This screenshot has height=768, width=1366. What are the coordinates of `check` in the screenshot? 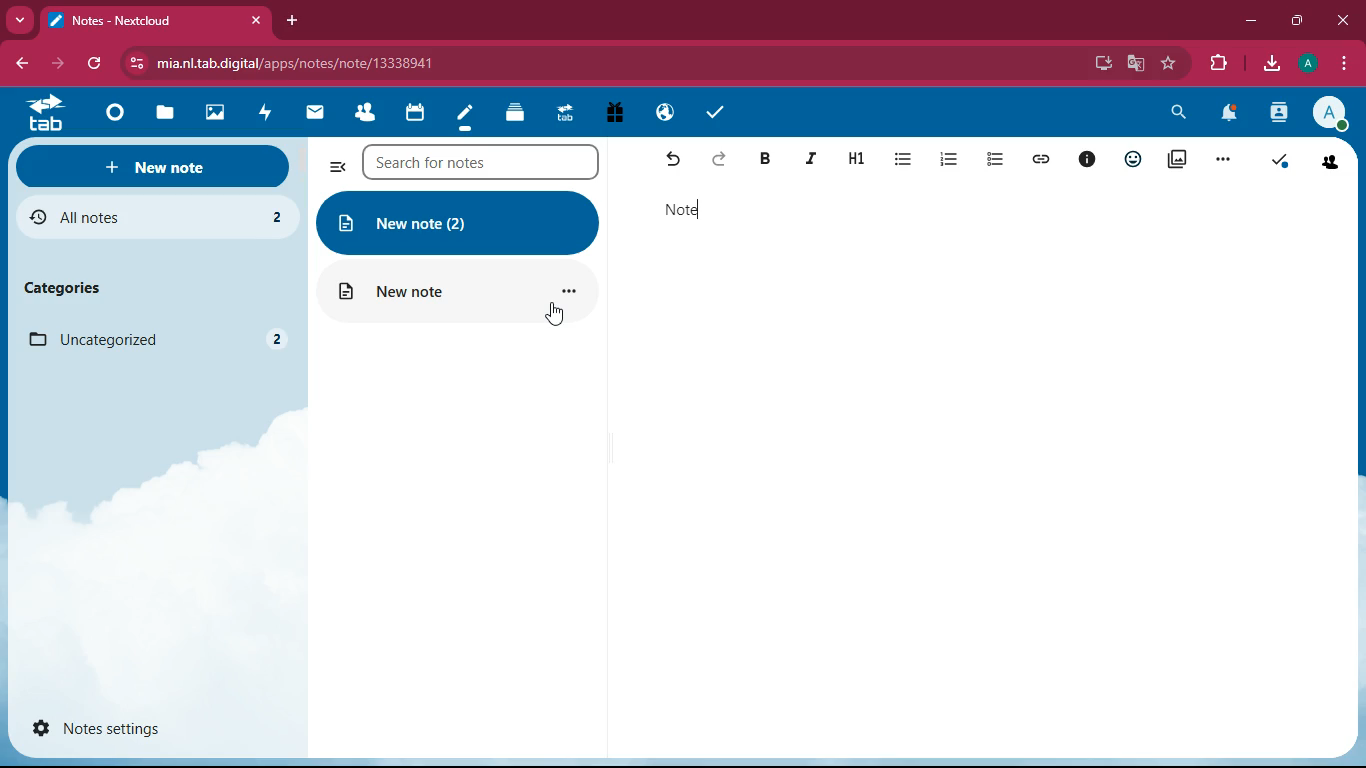 It's located at (713, 111).